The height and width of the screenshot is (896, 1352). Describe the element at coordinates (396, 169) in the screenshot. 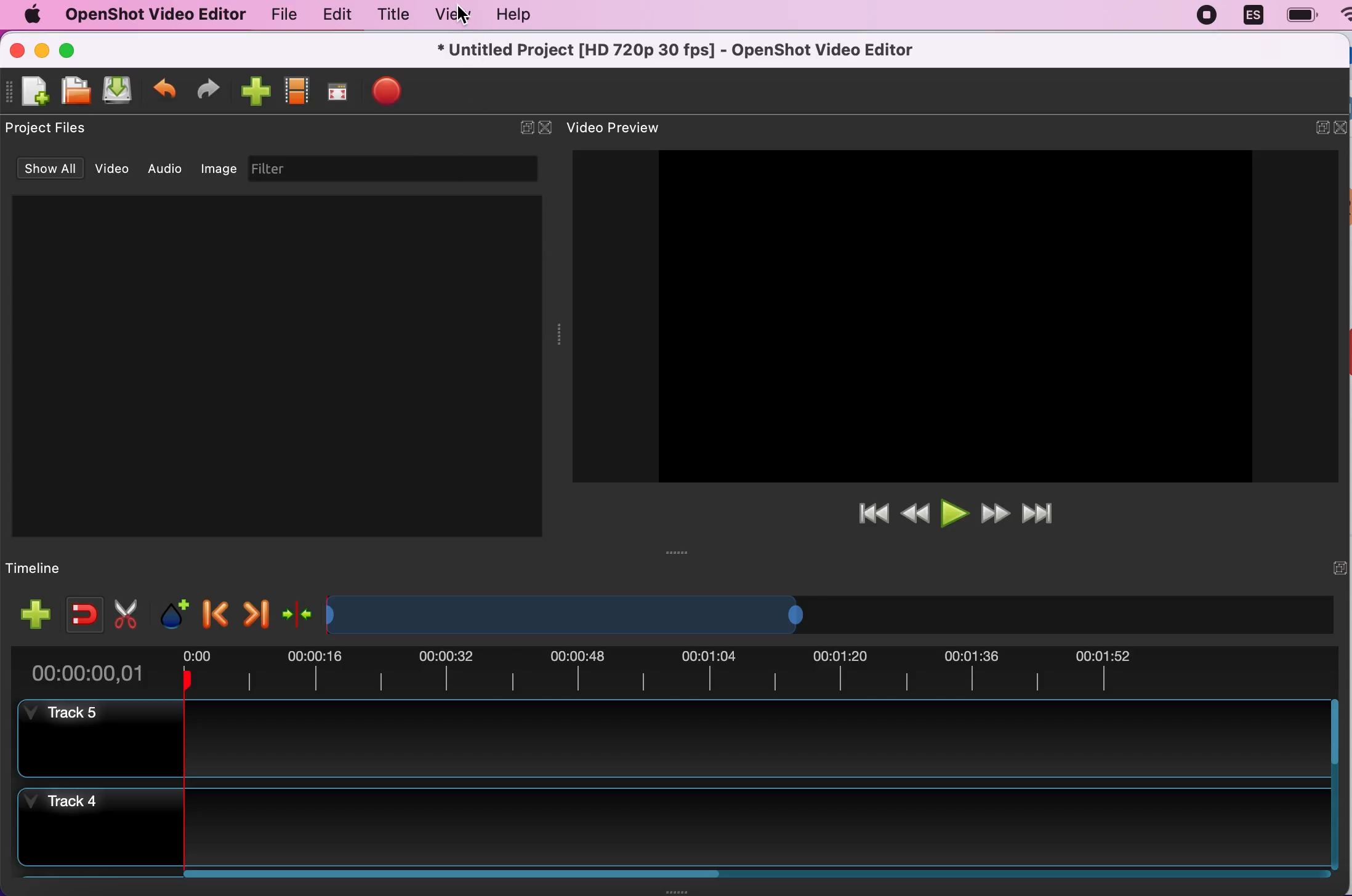

I see `filter` at that location.